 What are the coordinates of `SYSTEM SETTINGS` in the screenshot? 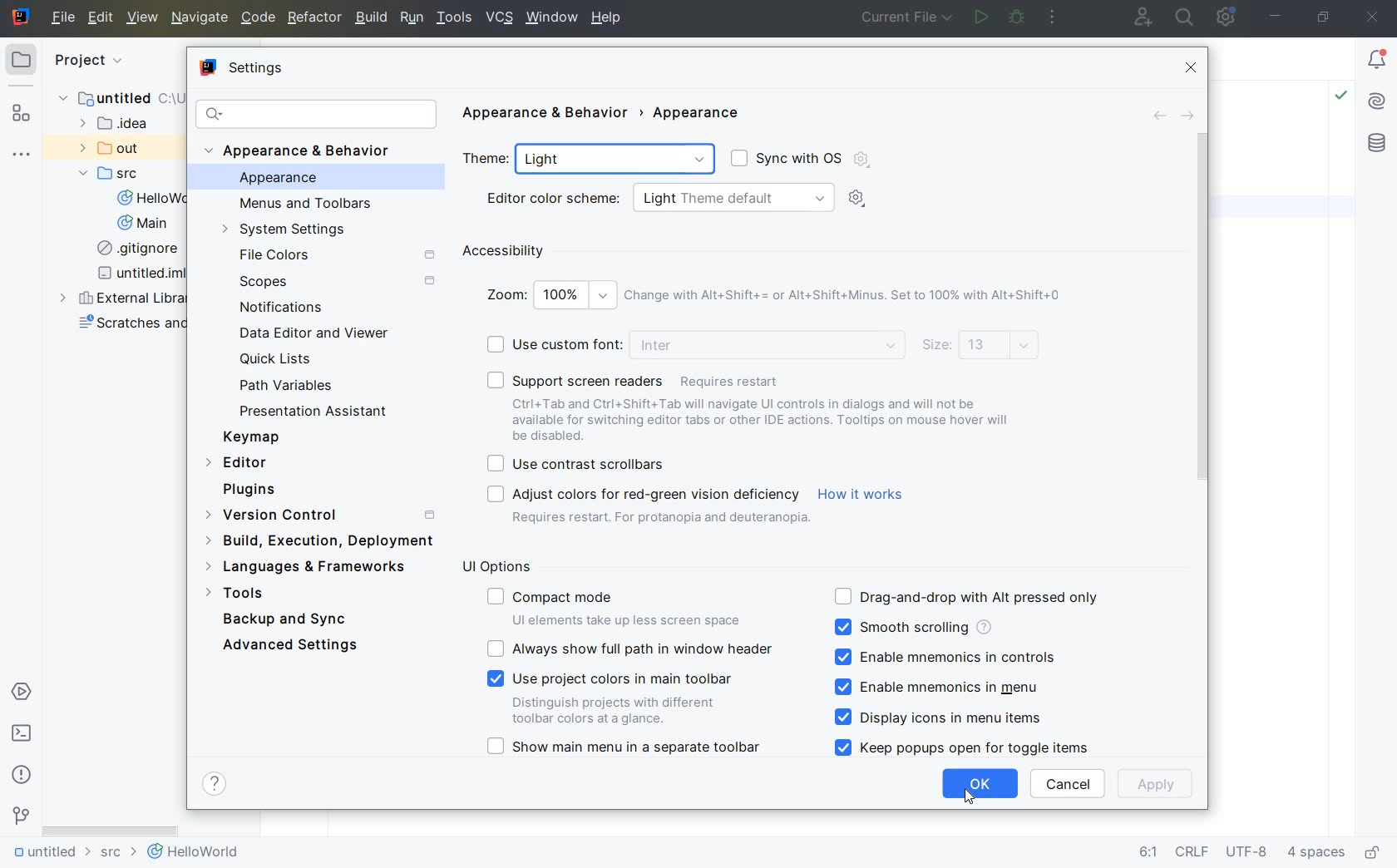 It's located at (287, 230).